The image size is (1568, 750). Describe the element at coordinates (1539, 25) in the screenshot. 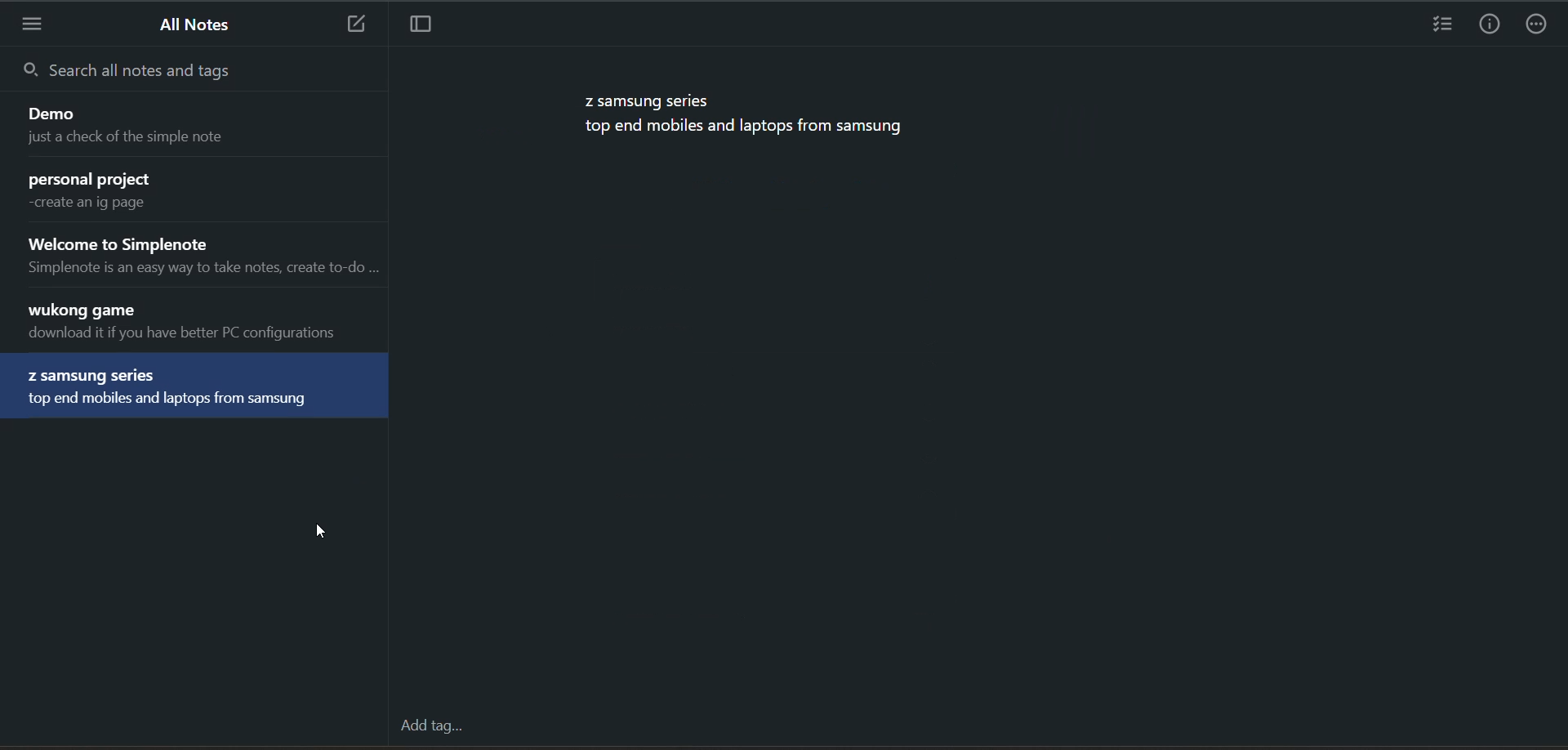

I see `actions` at that location.